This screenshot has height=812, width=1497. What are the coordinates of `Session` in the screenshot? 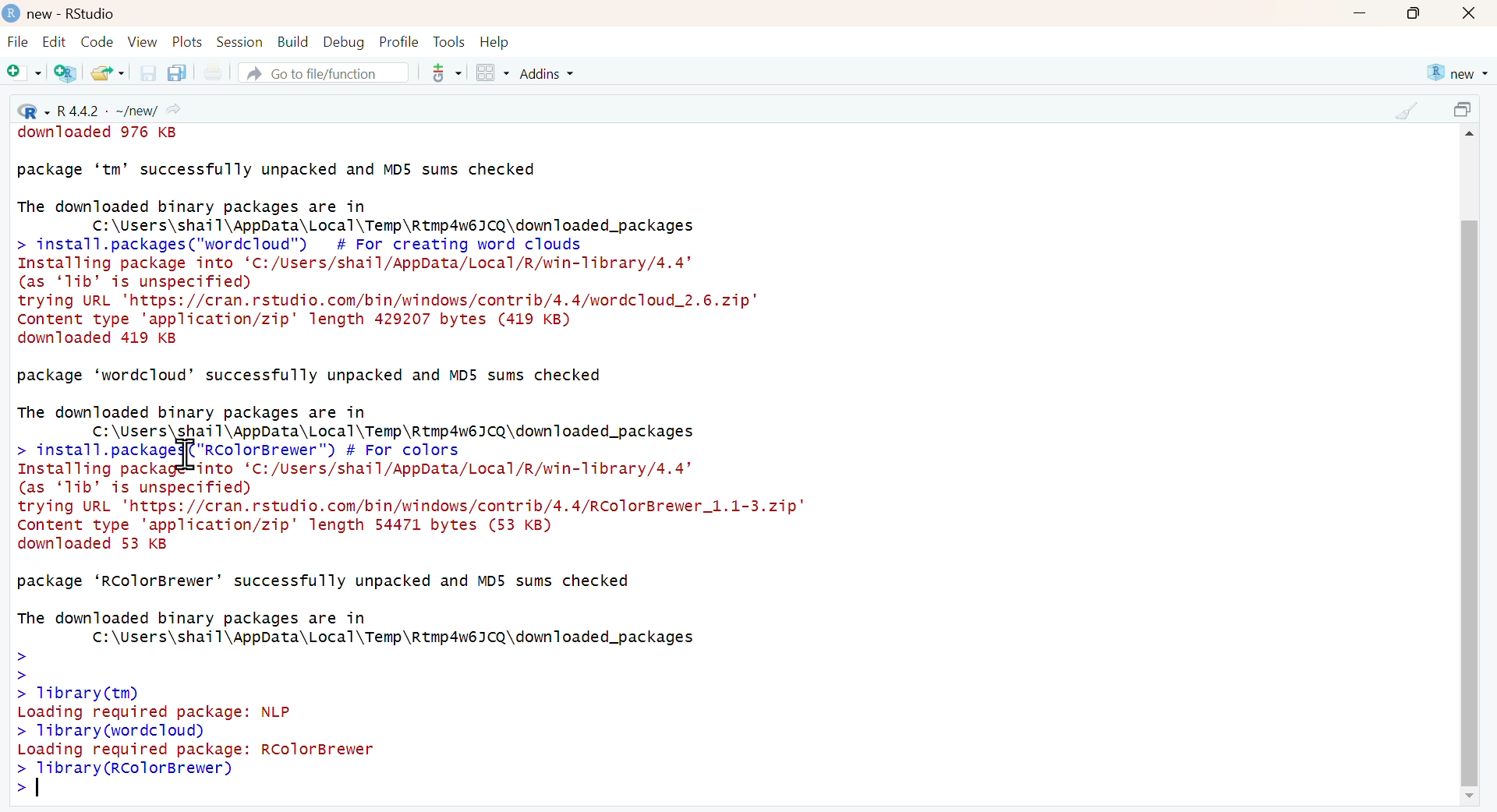 It's located at (242, 42).